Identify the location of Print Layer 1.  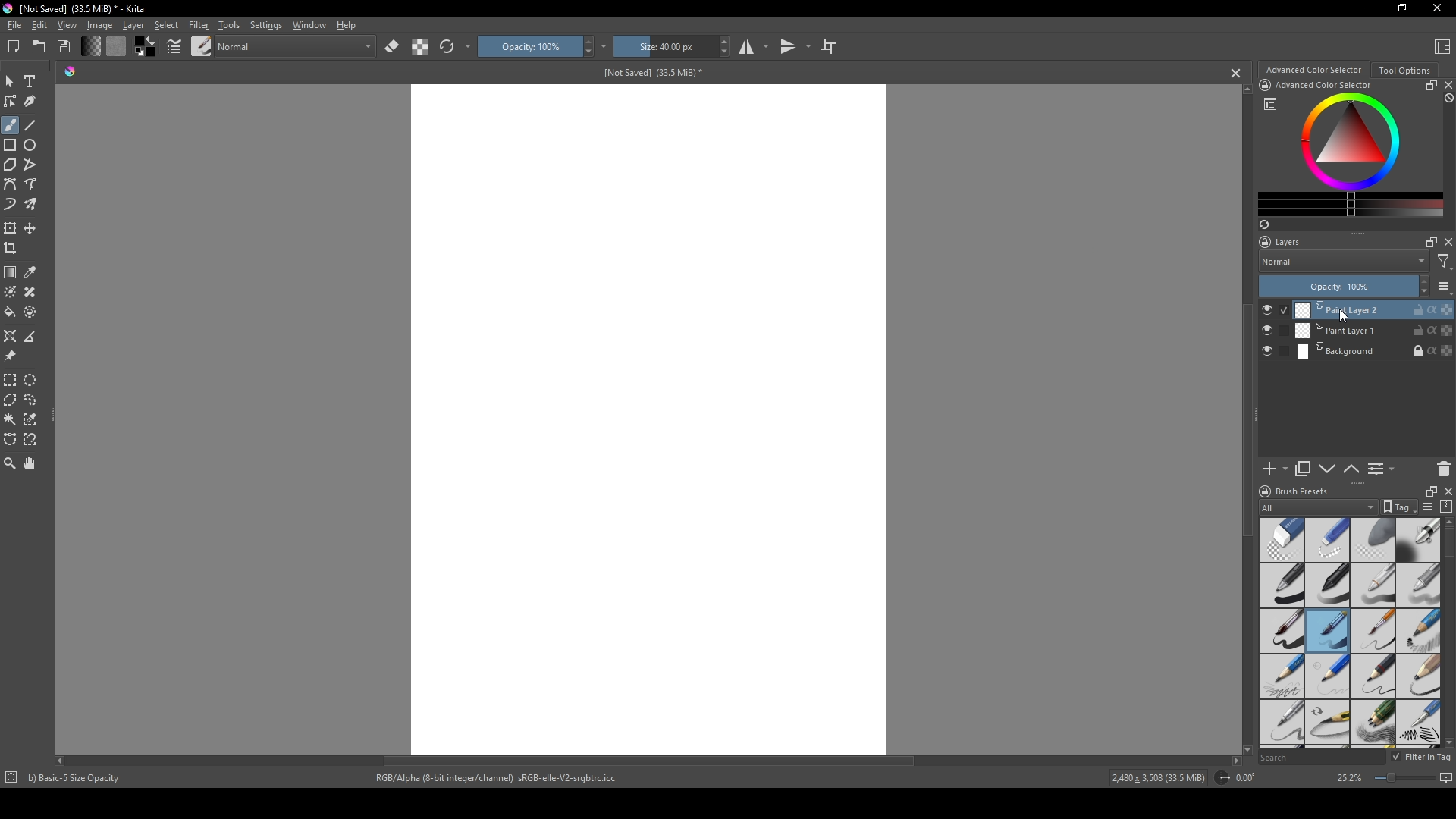
(1374, 331).